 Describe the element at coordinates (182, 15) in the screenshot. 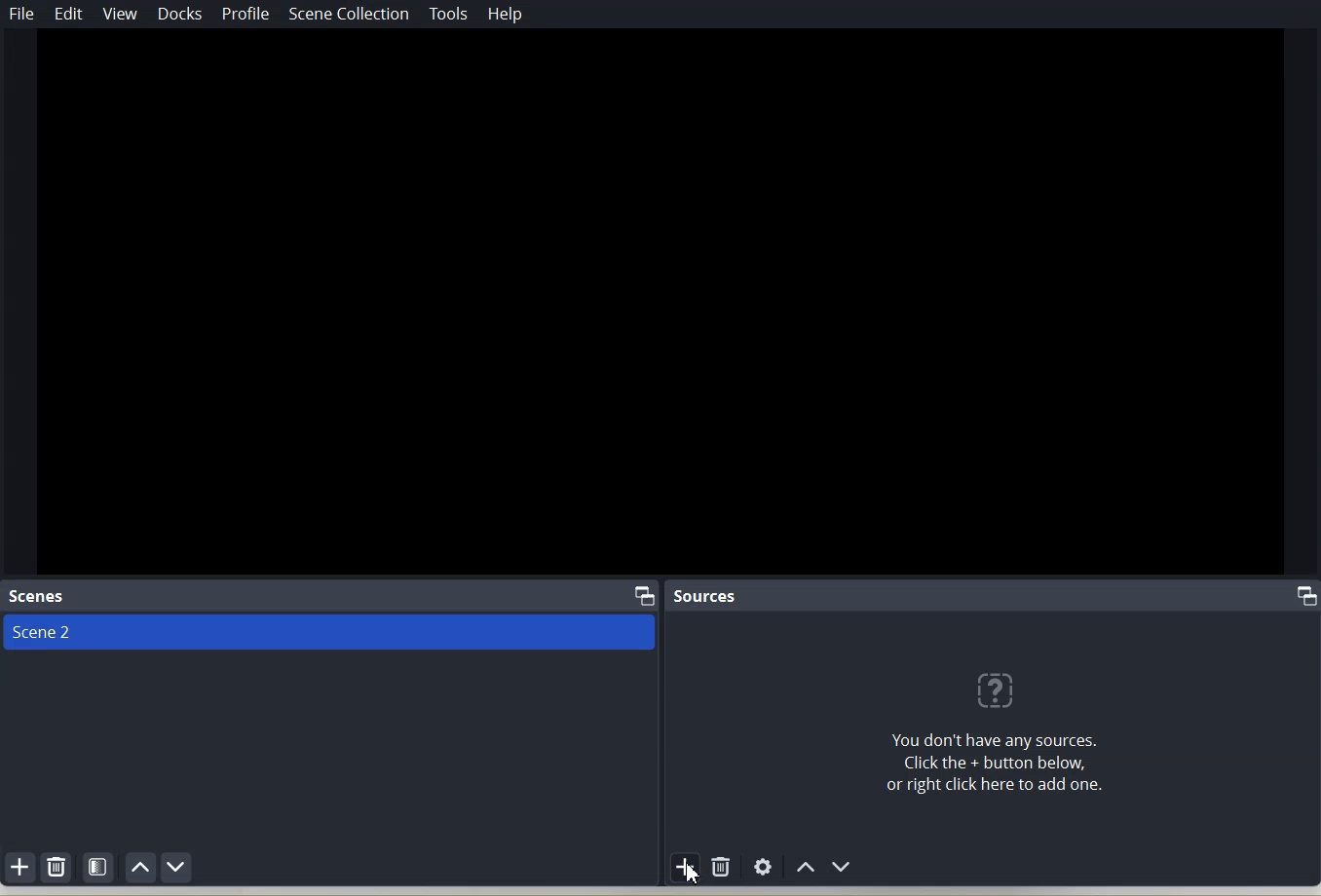

I see `Docks` at that location.